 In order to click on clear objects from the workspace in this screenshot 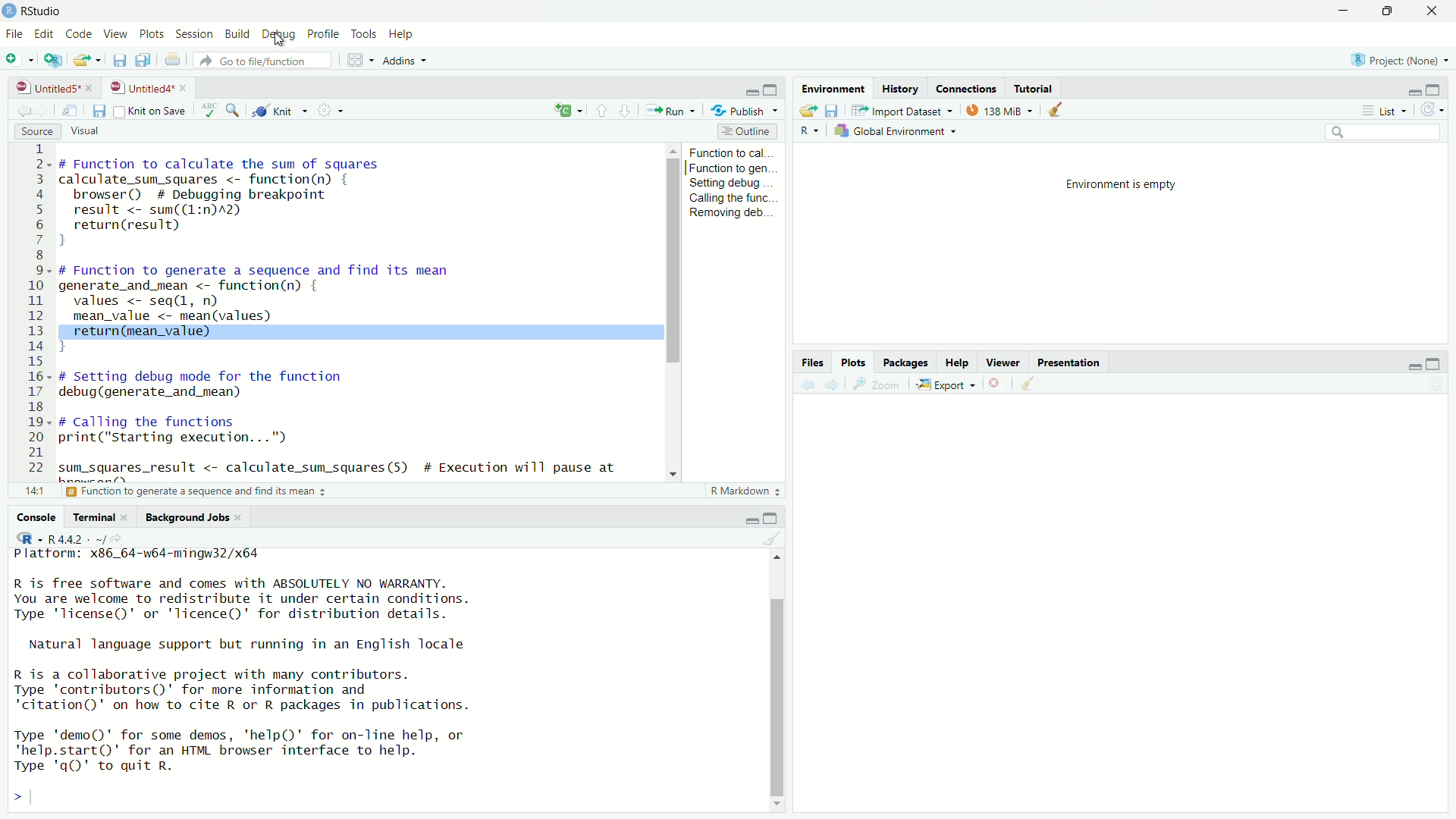, I will do `click(1067, 111)`.